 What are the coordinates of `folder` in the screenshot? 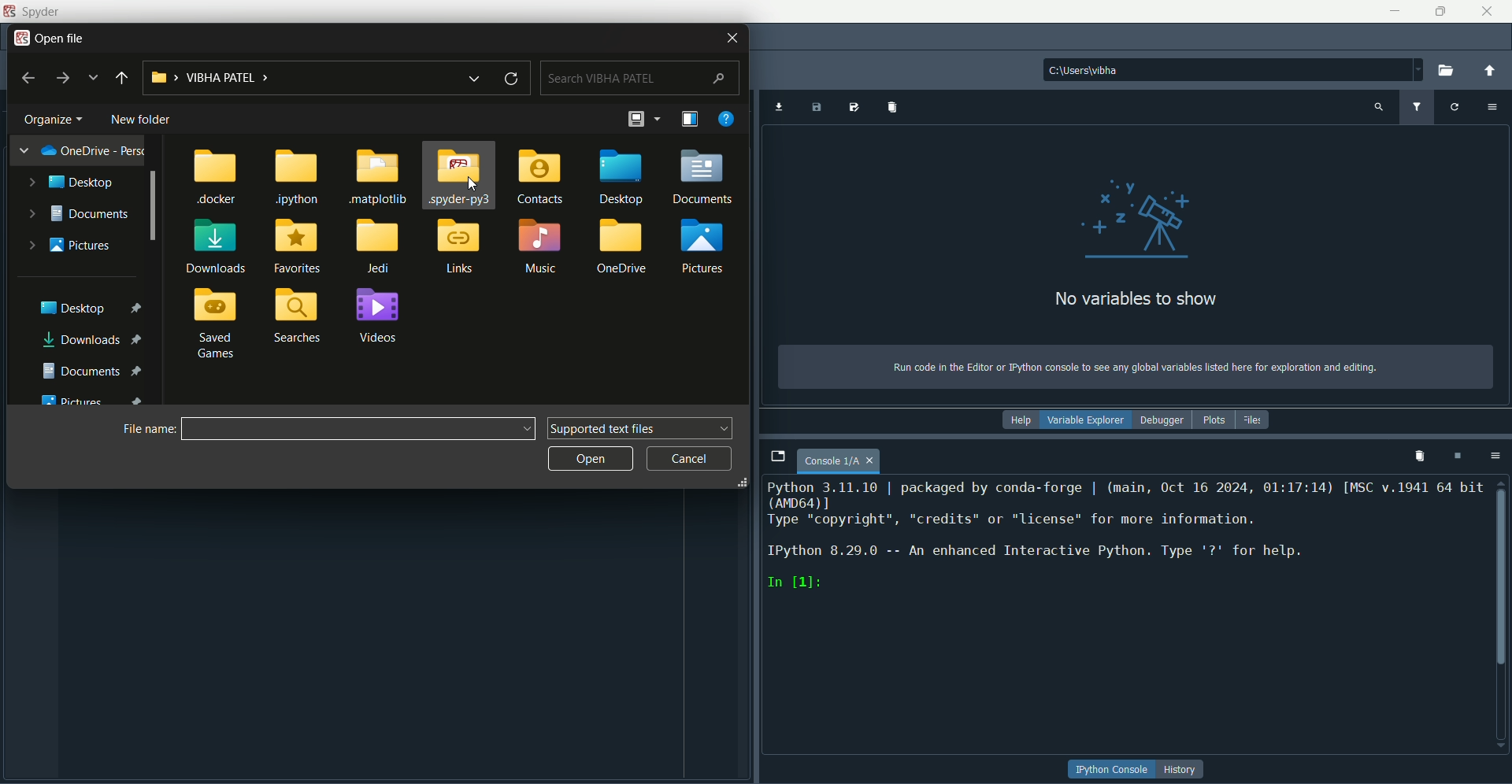 It's located at (218, 324).